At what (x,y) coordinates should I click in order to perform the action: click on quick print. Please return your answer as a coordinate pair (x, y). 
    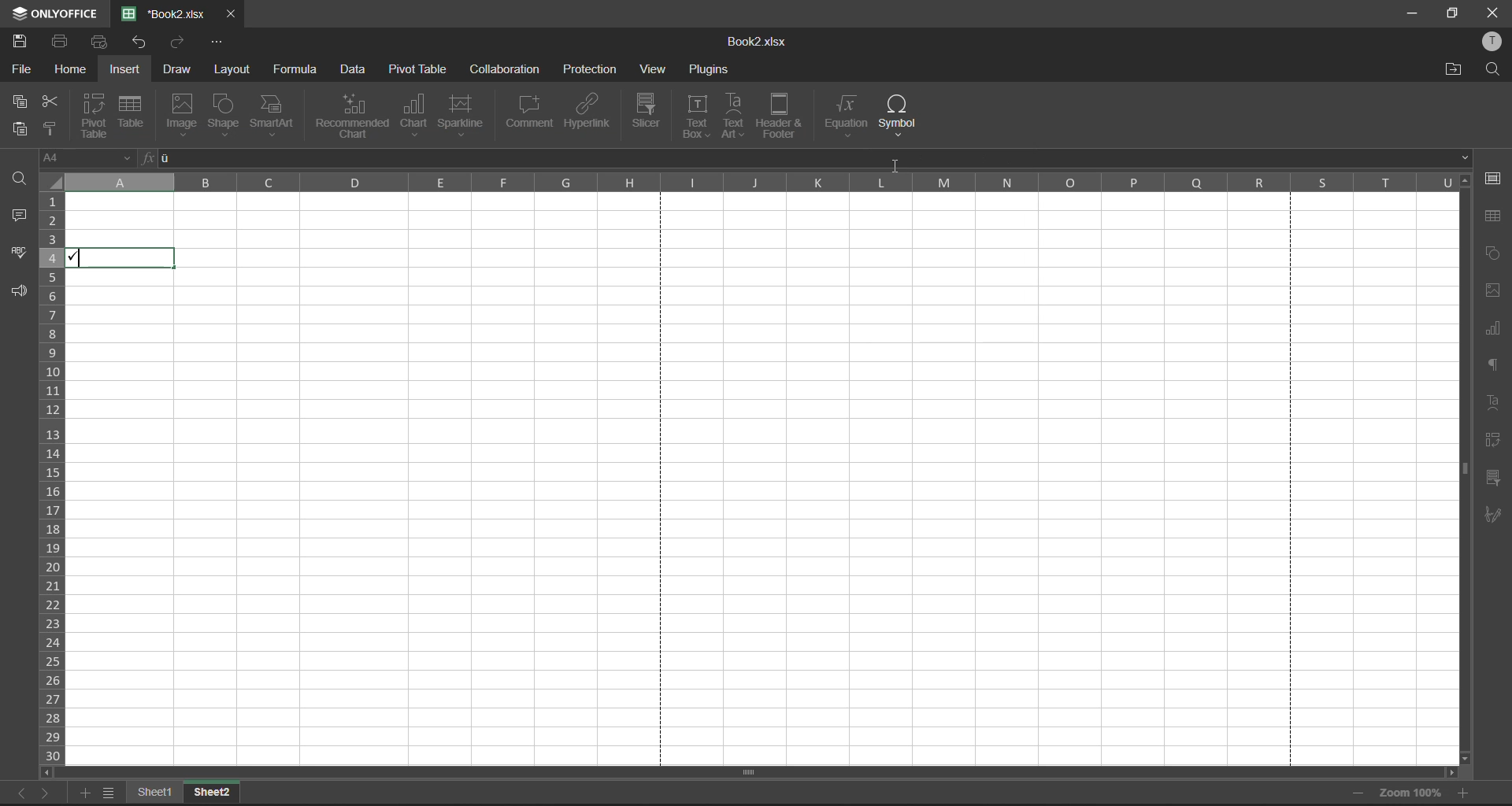
    Looking at the image, I should click on (100, 42).